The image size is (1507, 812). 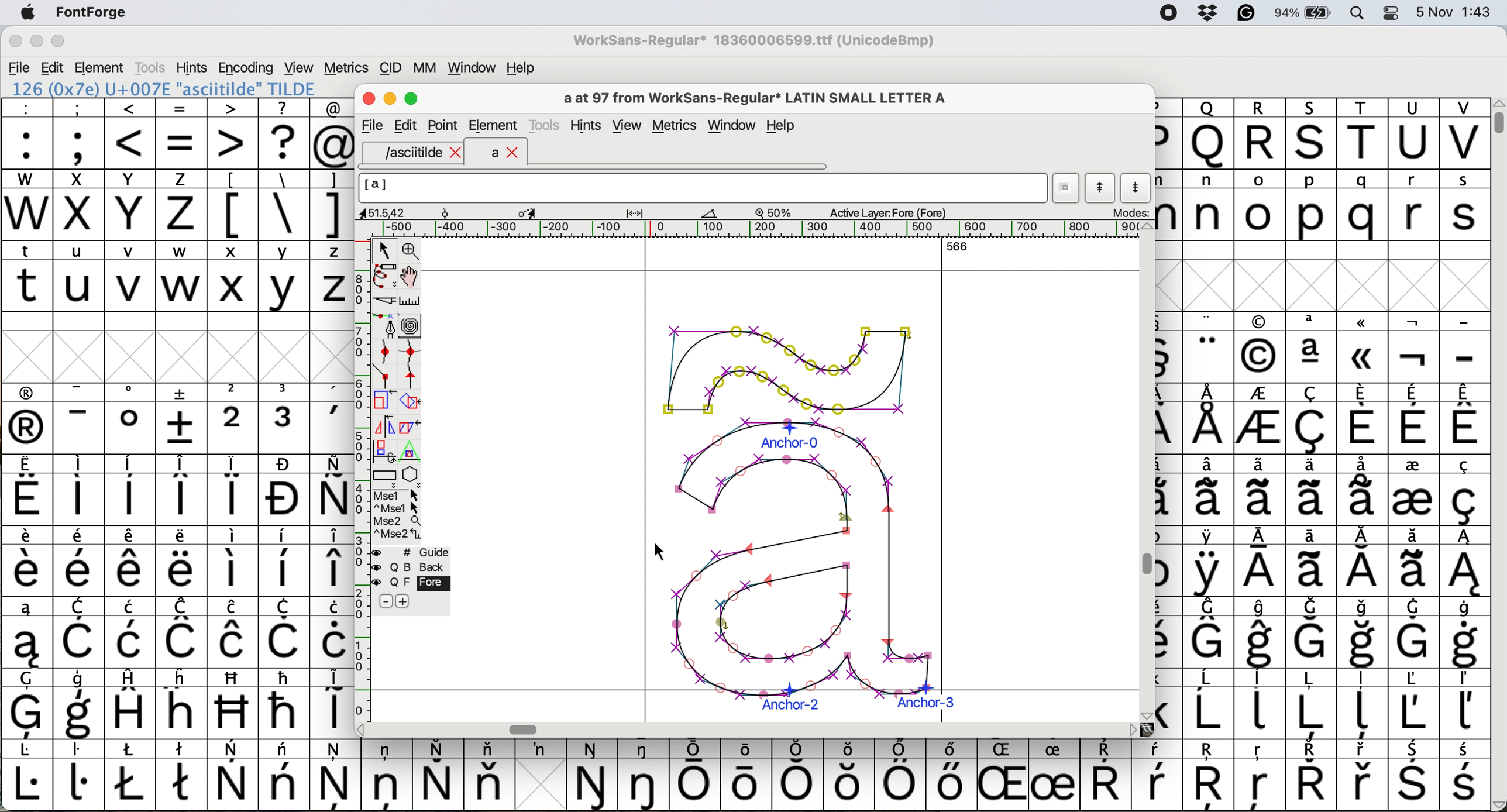 I want to click on symbol, so click(x=28, y=704).